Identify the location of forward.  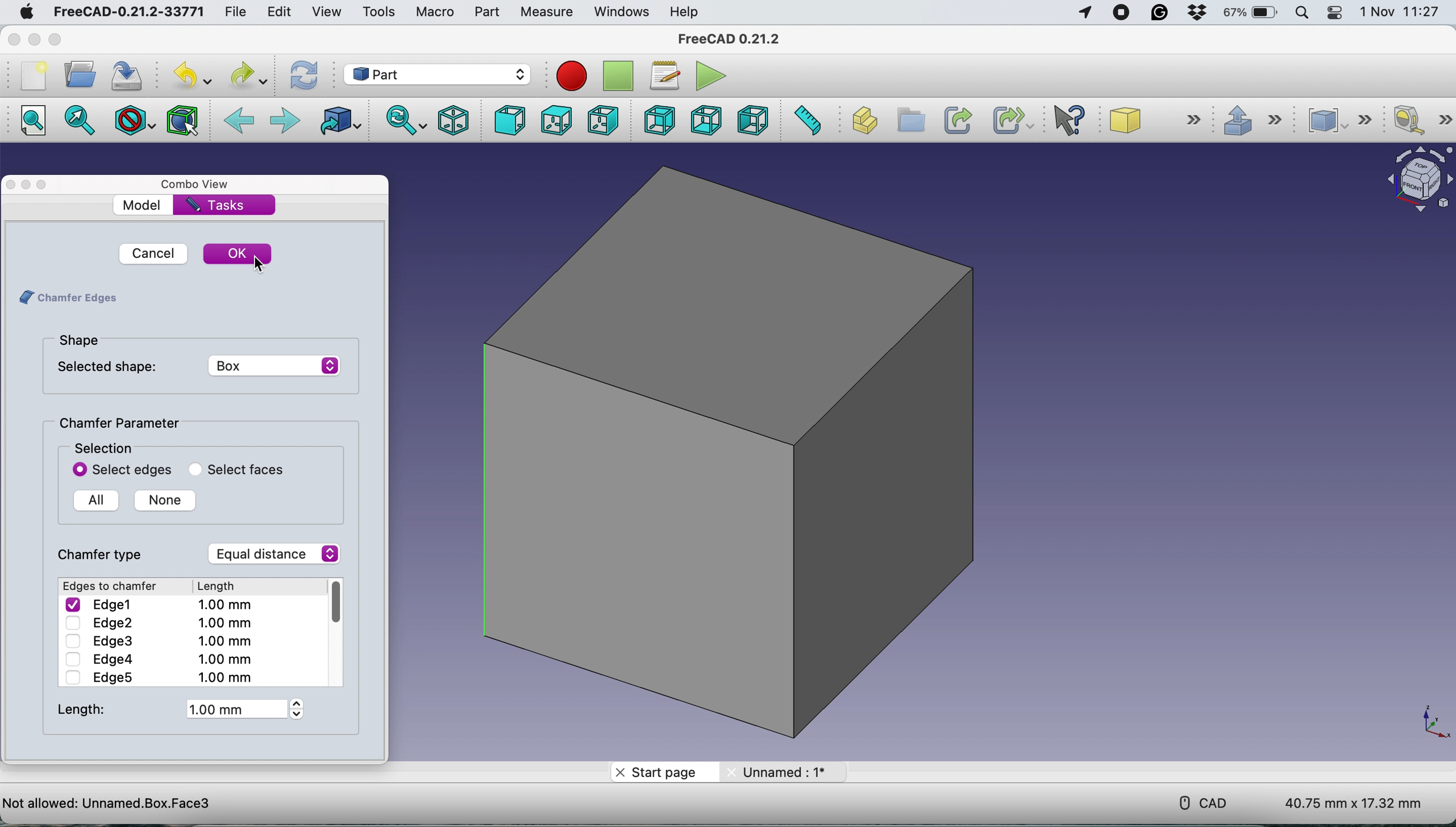
(285, 120).